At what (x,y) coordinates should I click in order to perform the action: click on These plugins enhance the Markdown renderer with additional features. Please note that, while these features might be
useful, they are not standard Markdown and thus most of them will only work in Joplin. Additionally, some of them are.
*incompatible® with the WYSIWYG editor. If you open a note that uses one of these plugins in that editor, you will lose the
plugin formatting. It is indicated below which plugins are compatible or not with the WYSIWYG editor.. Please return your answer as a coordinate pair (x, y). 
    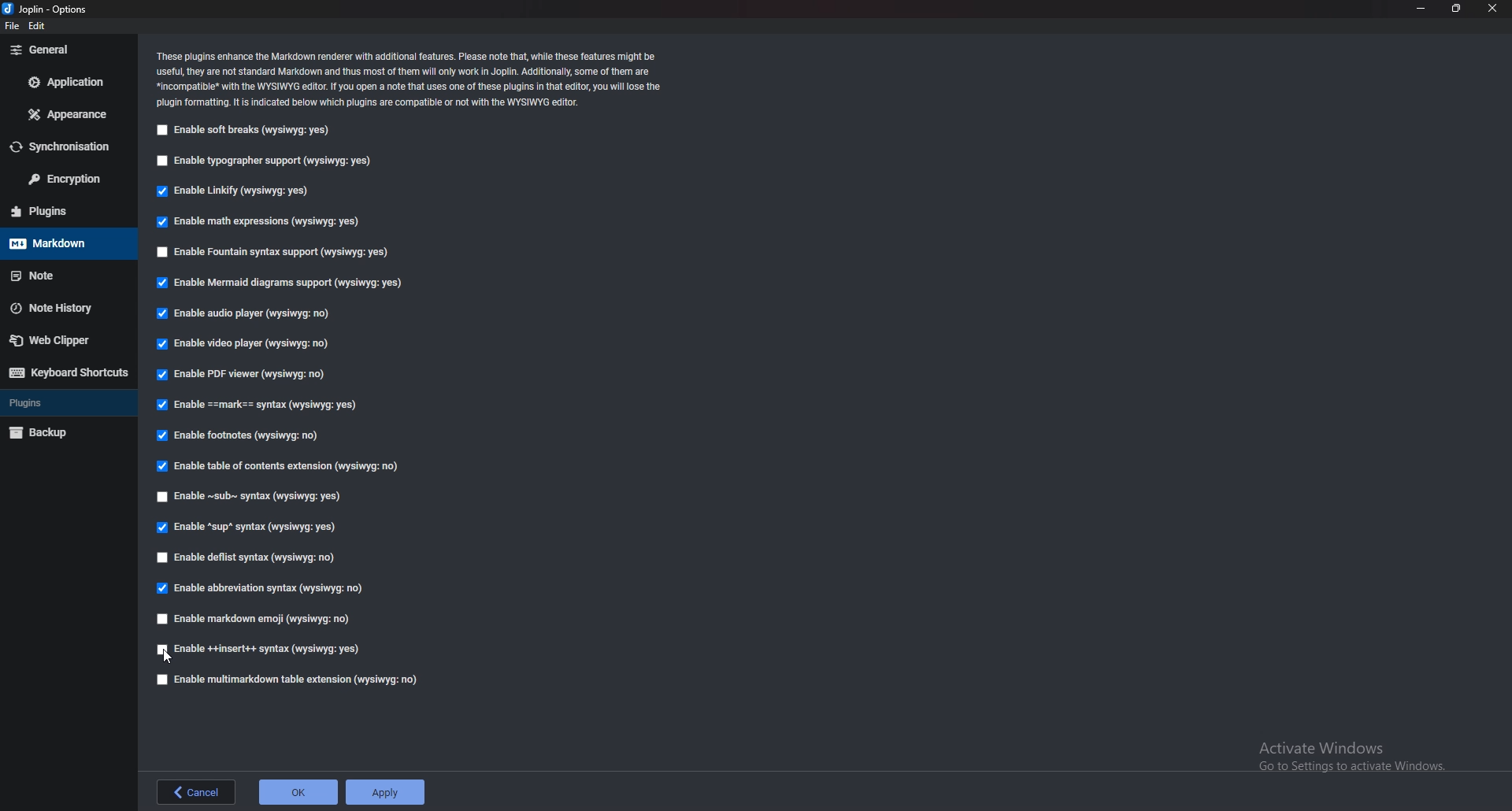
    Looking at the image, I should click on (409, 79).